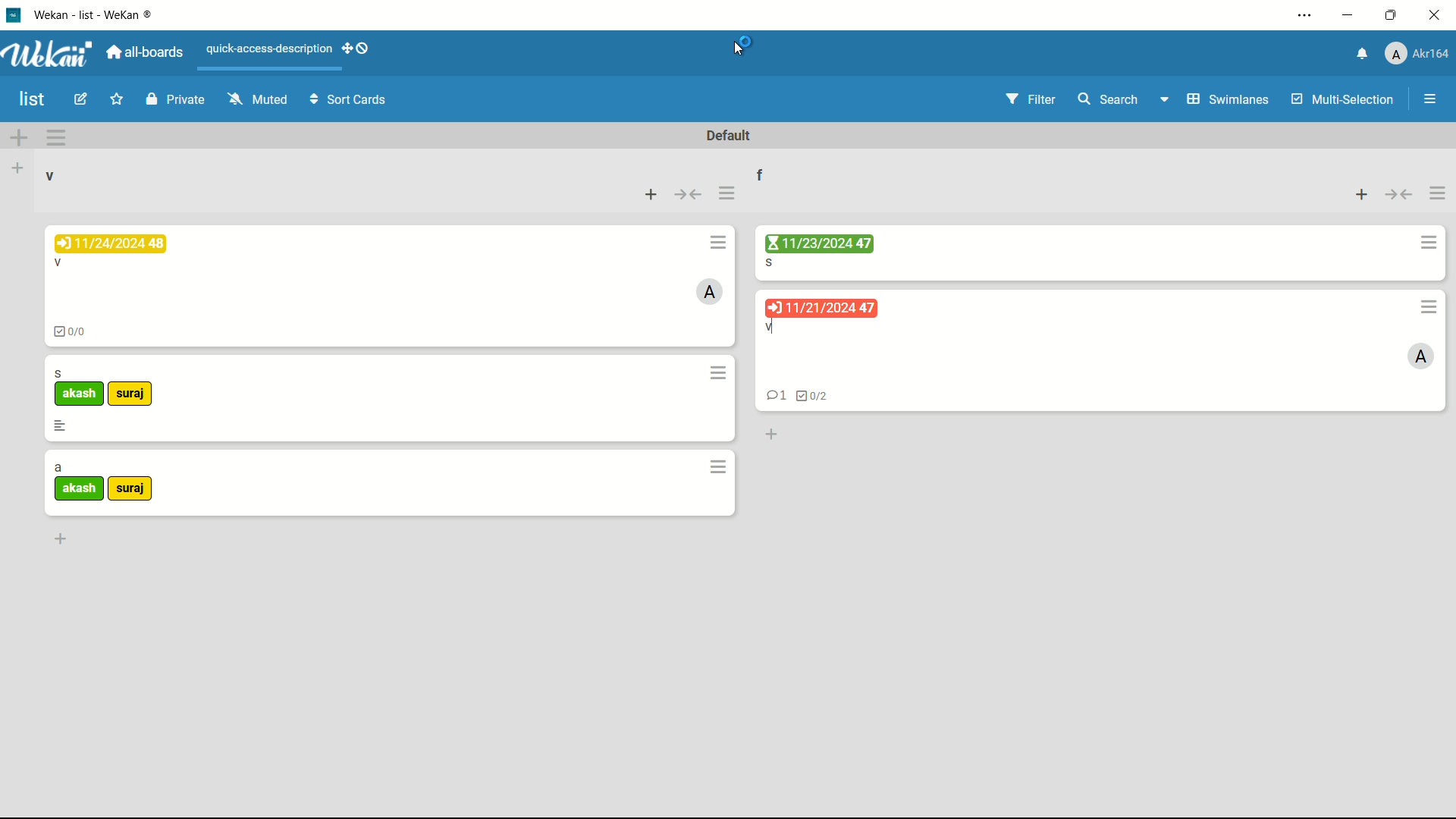  Describe the element at coordinates (652, 196) in the screenshot. I see `add card top of list` at that location.